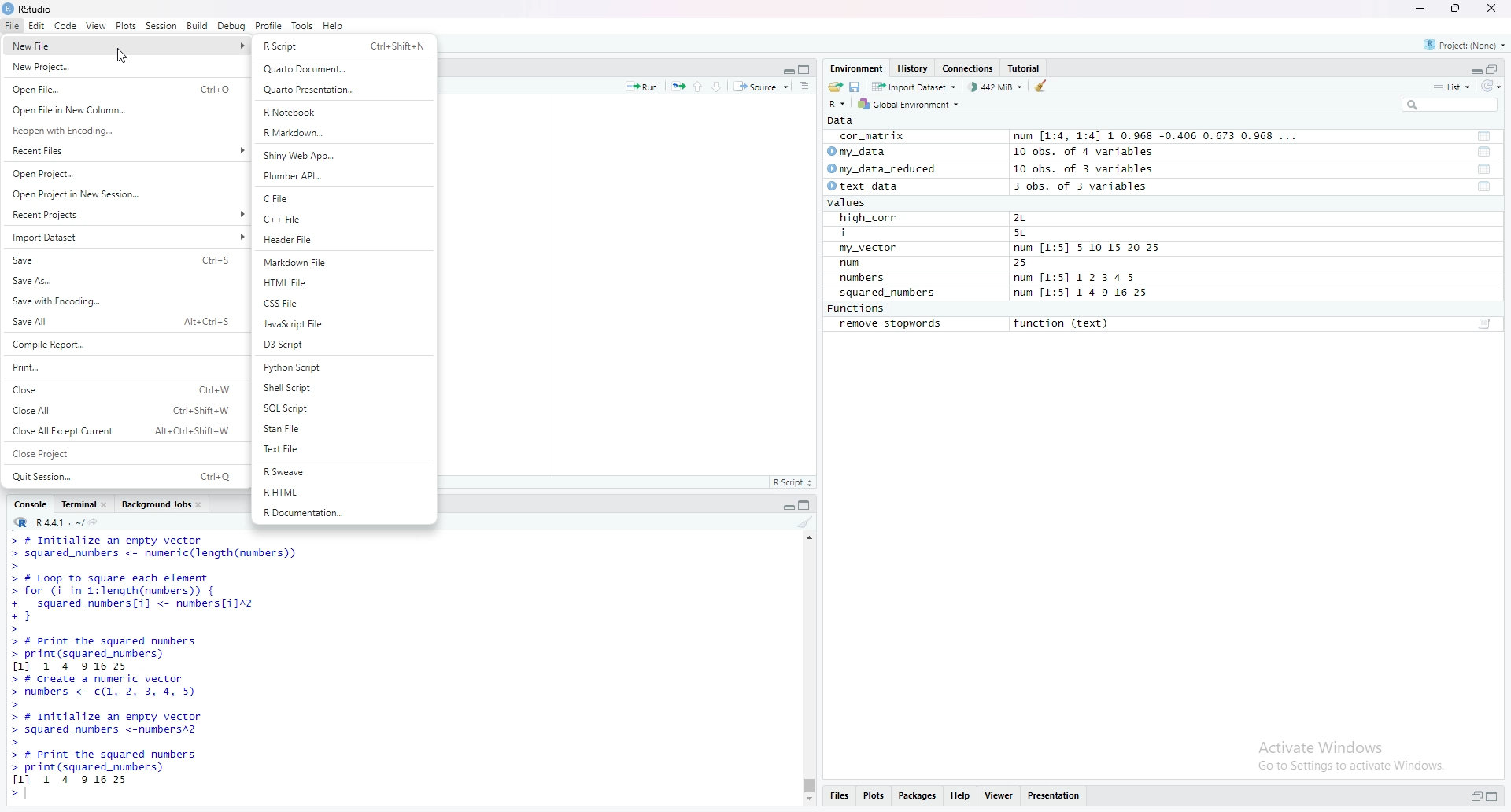 The height and width of the screenshot is (812, 1511). Describe the element at coordinates (345, 409) in the screenshot. I see `SQL Script` at that location.